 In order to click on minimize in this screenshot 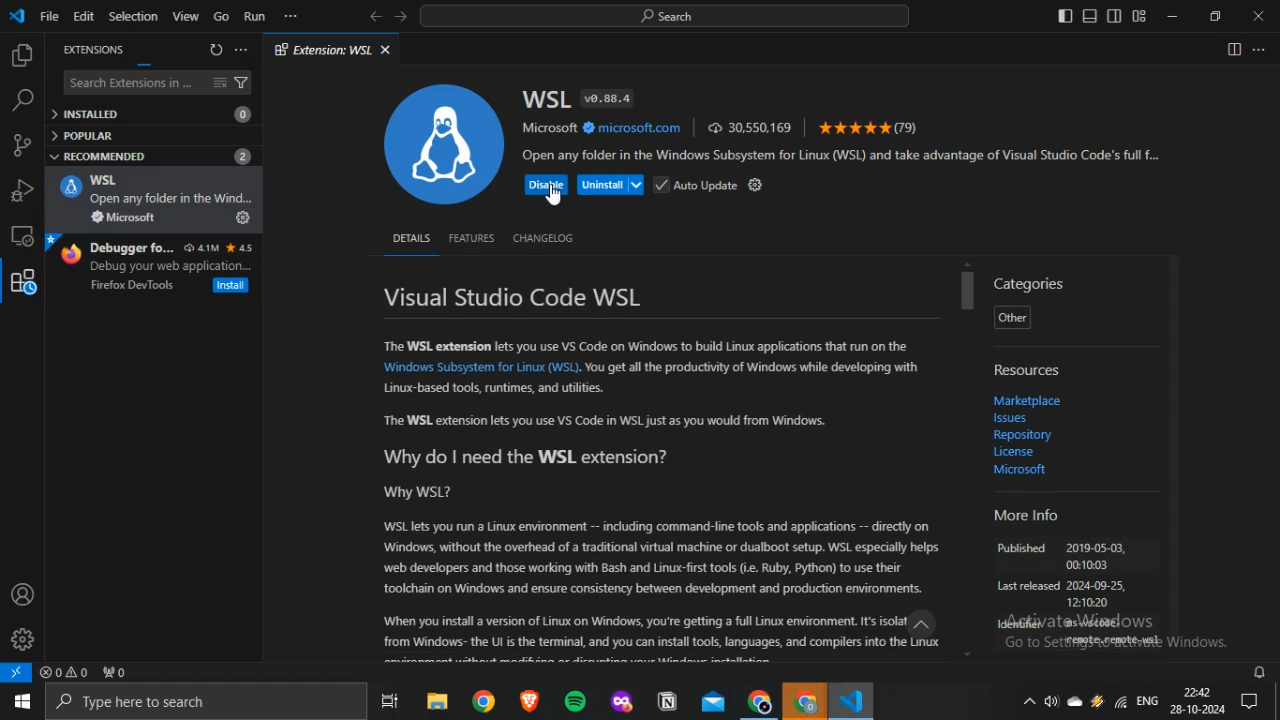, I will do `click(1172, 16)`.